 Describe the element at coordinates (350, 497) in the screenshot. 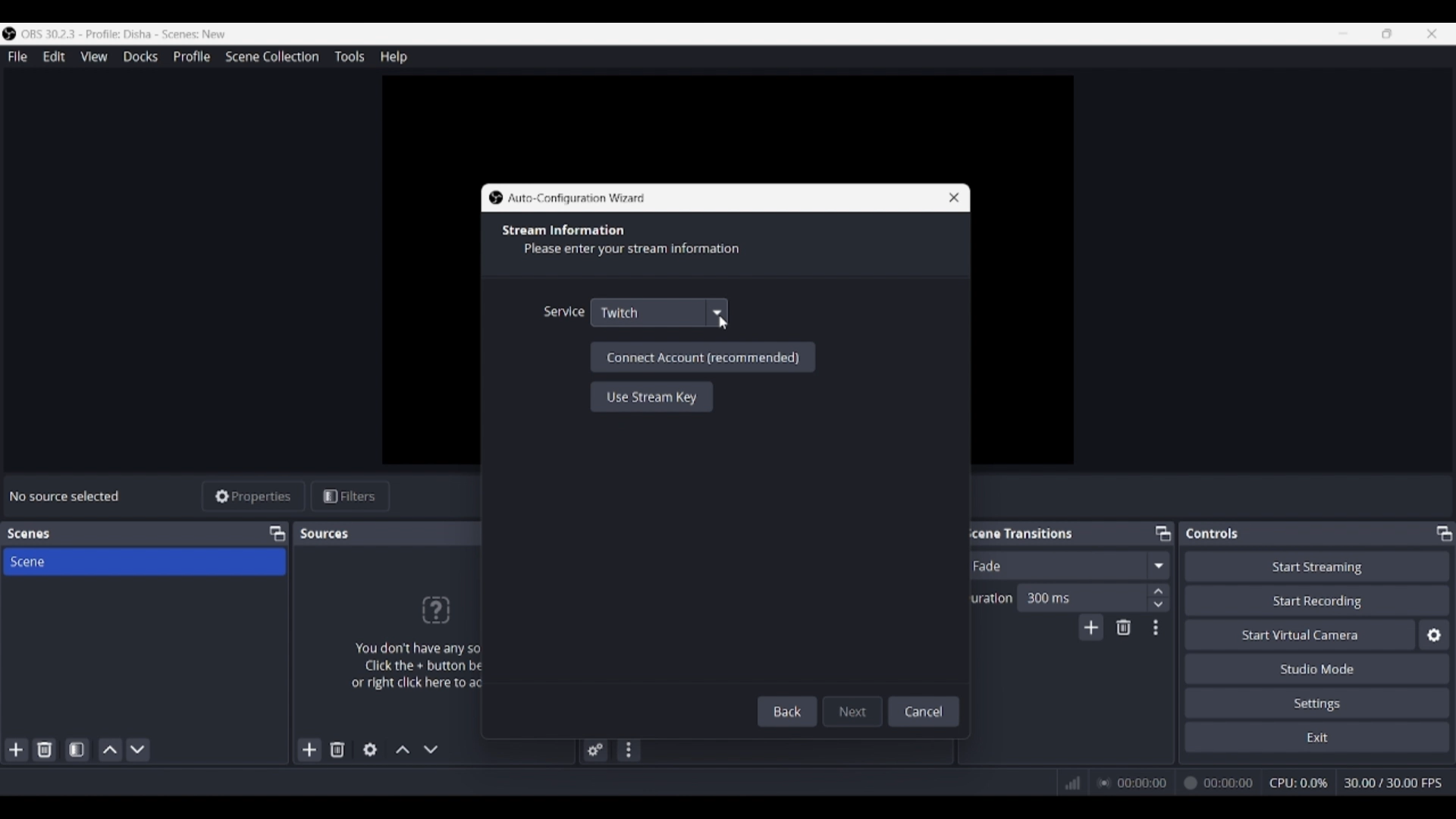

I see `Filters` at that location.